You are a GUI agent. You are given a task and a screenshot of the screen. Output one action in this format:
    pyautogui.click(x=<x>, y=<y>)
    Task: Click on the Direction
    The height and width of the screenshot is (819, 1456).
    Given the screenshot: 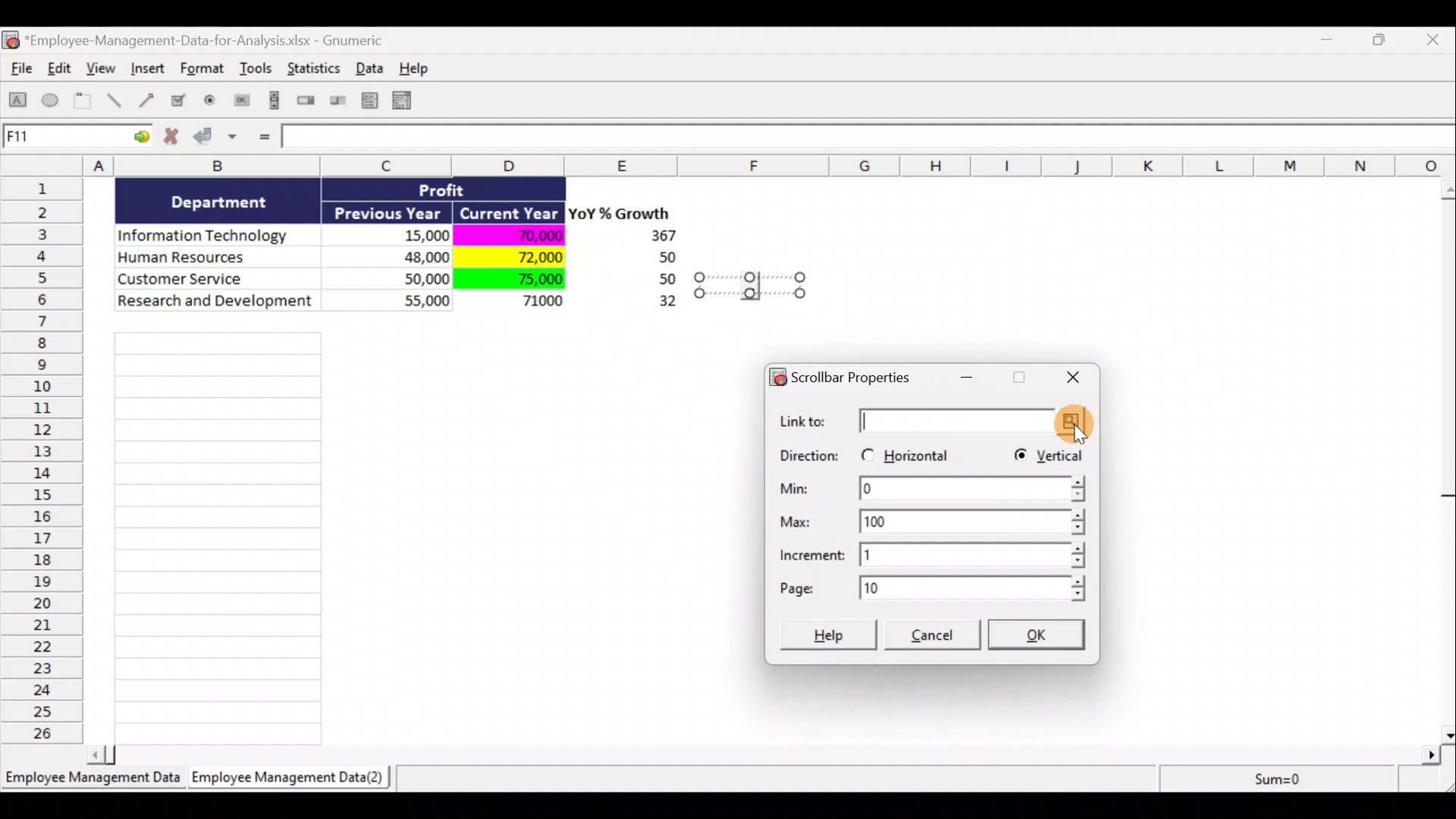 What is the action you would take?
    pyautogui.click(x=809, y=457)
    